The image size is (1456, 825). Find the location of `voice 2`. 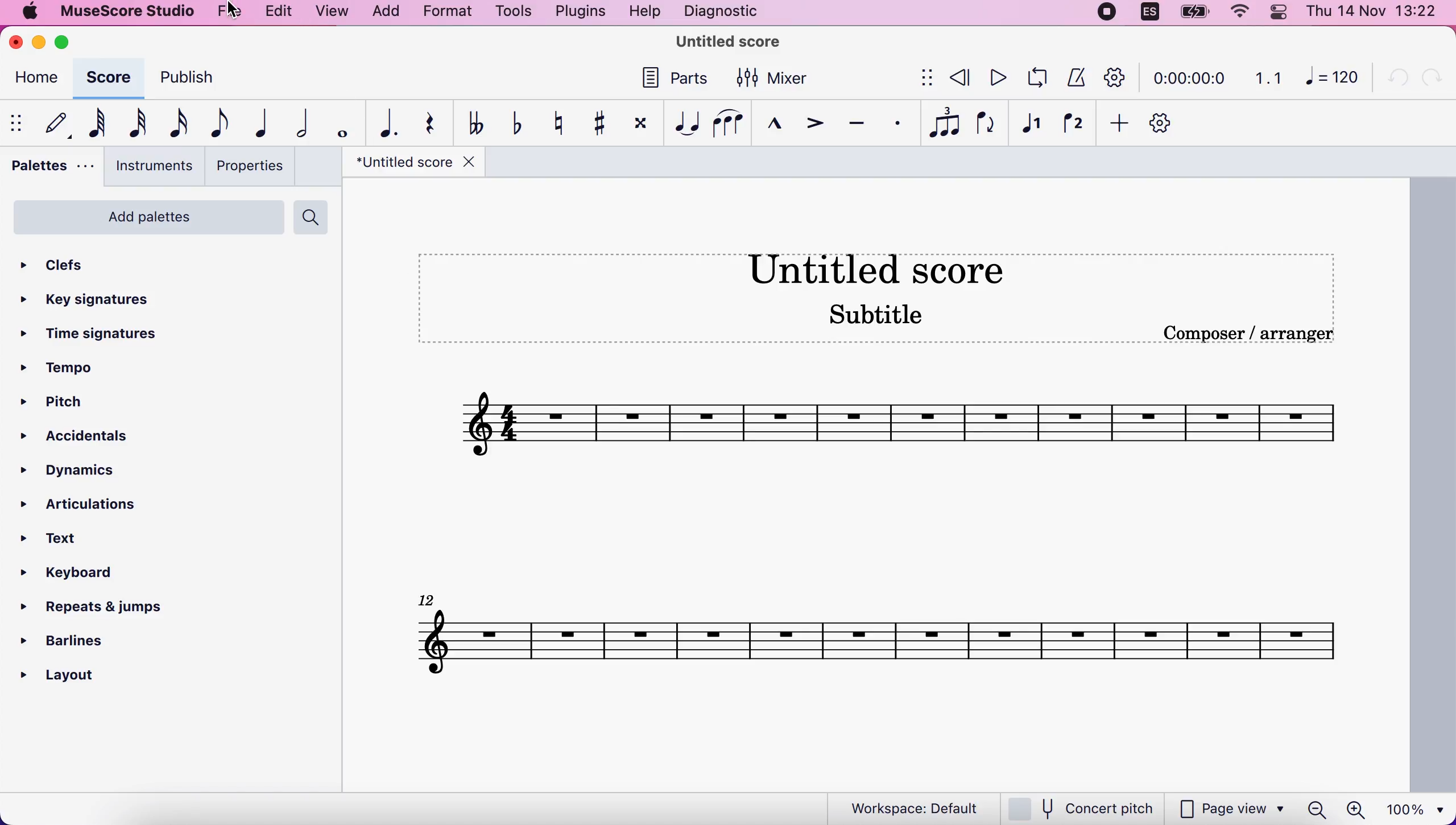

voice 2 is located at coordinates (1071, 125).